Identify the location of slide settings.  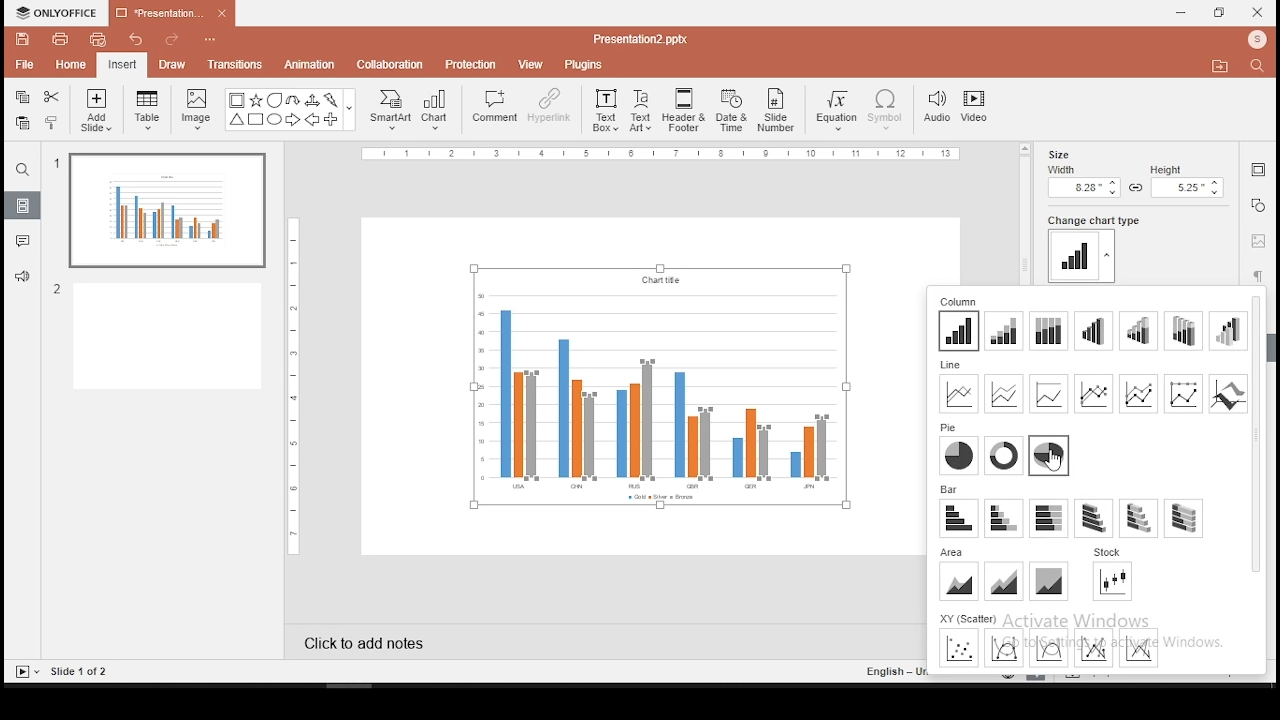
(1256, 169).